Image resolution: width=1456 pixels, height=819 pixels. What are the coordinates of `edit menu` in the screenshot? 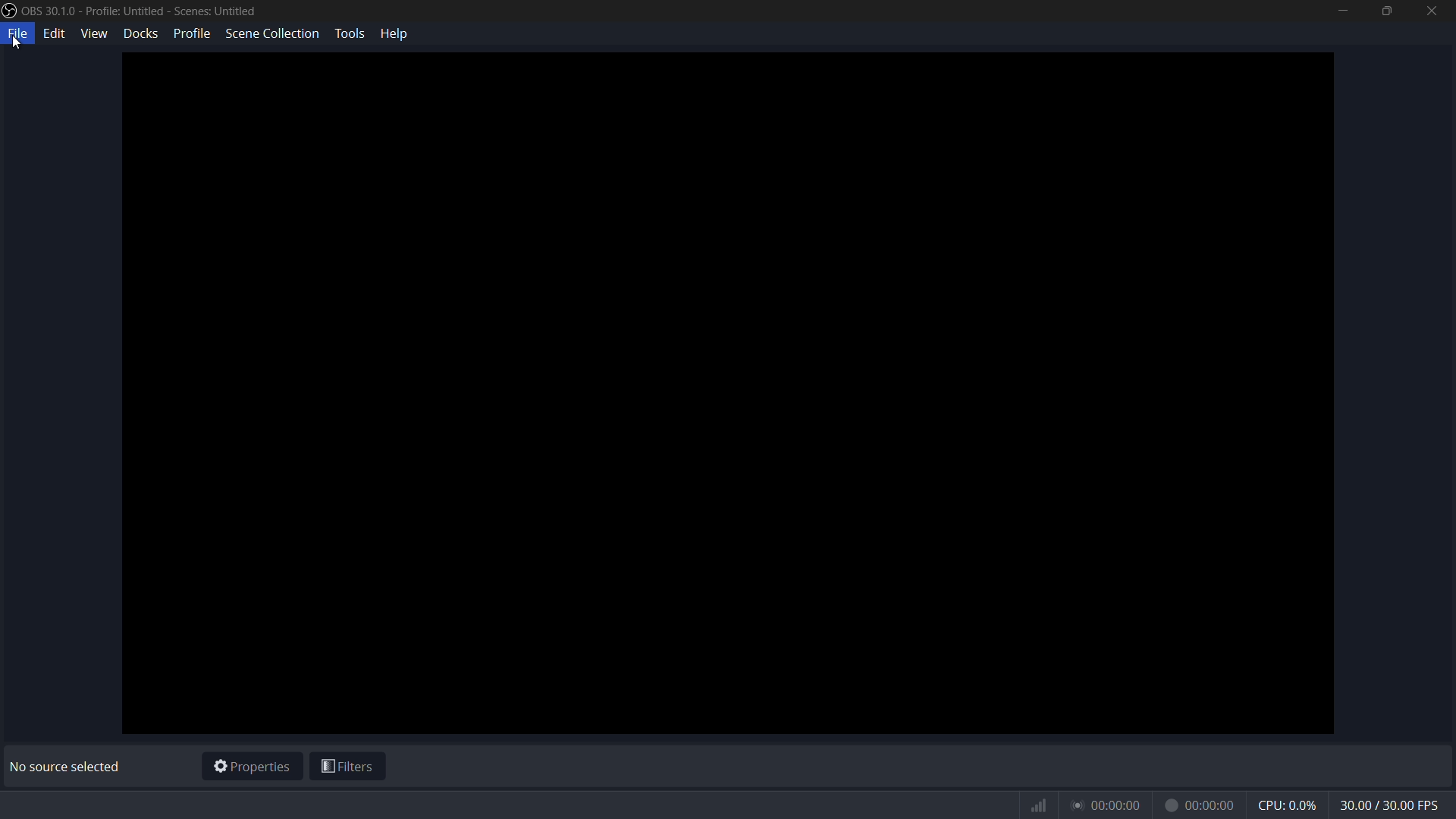 It's located at (56, 33).